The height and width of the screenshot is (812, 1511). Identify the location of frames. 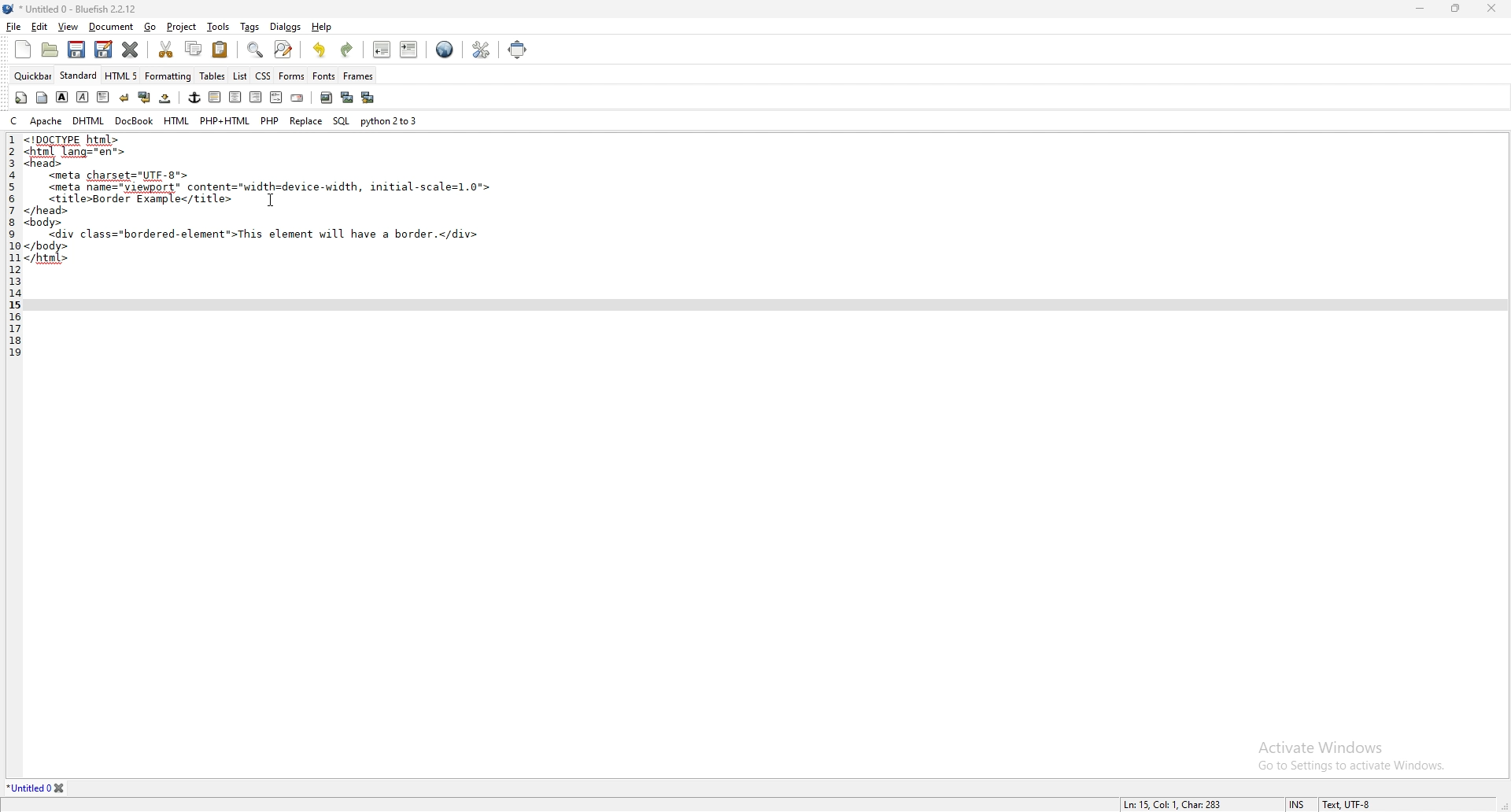
(358, 76).